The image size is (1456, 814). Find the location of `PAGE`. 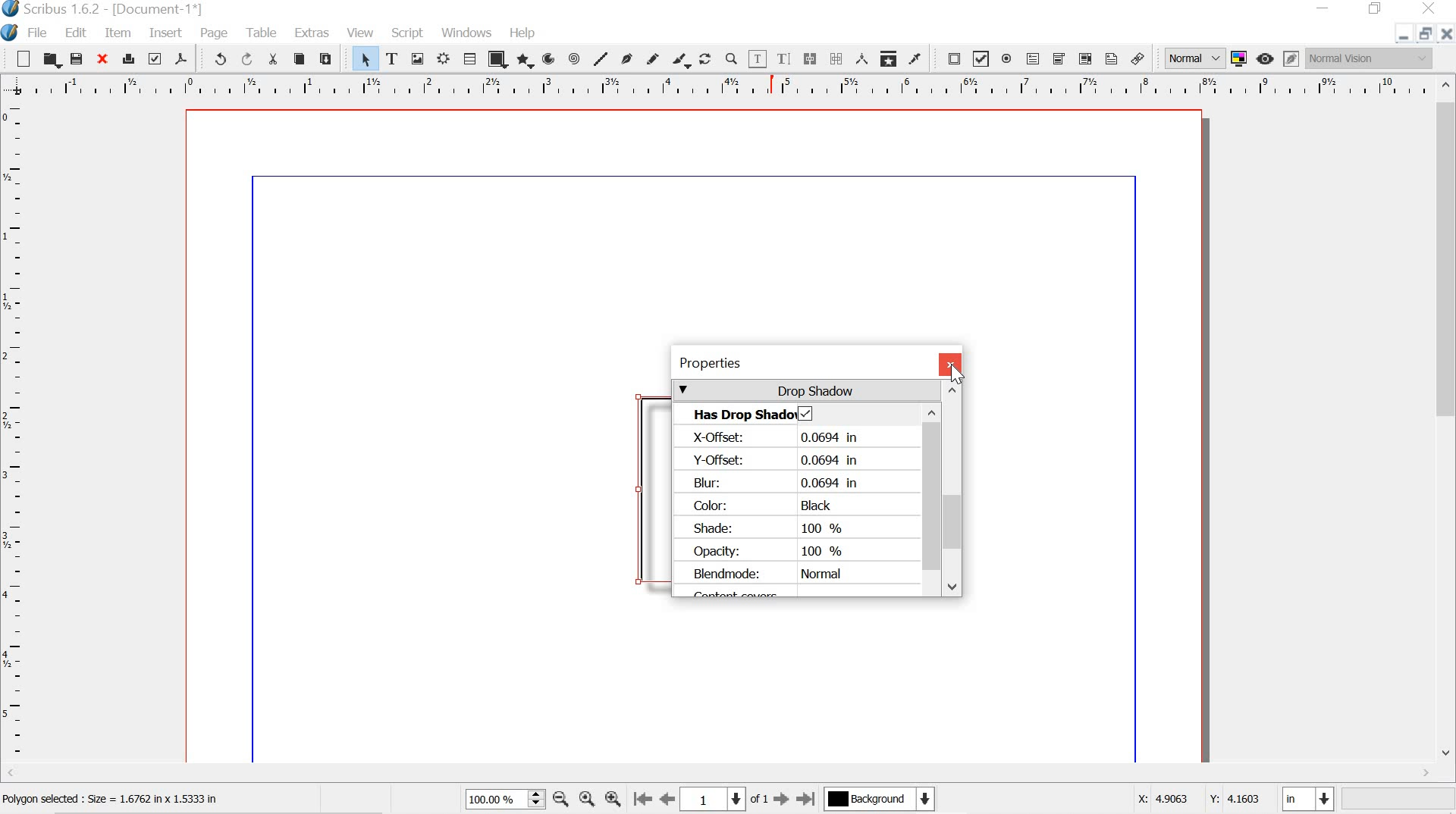

PAGE is located at coordinates (215, 33).